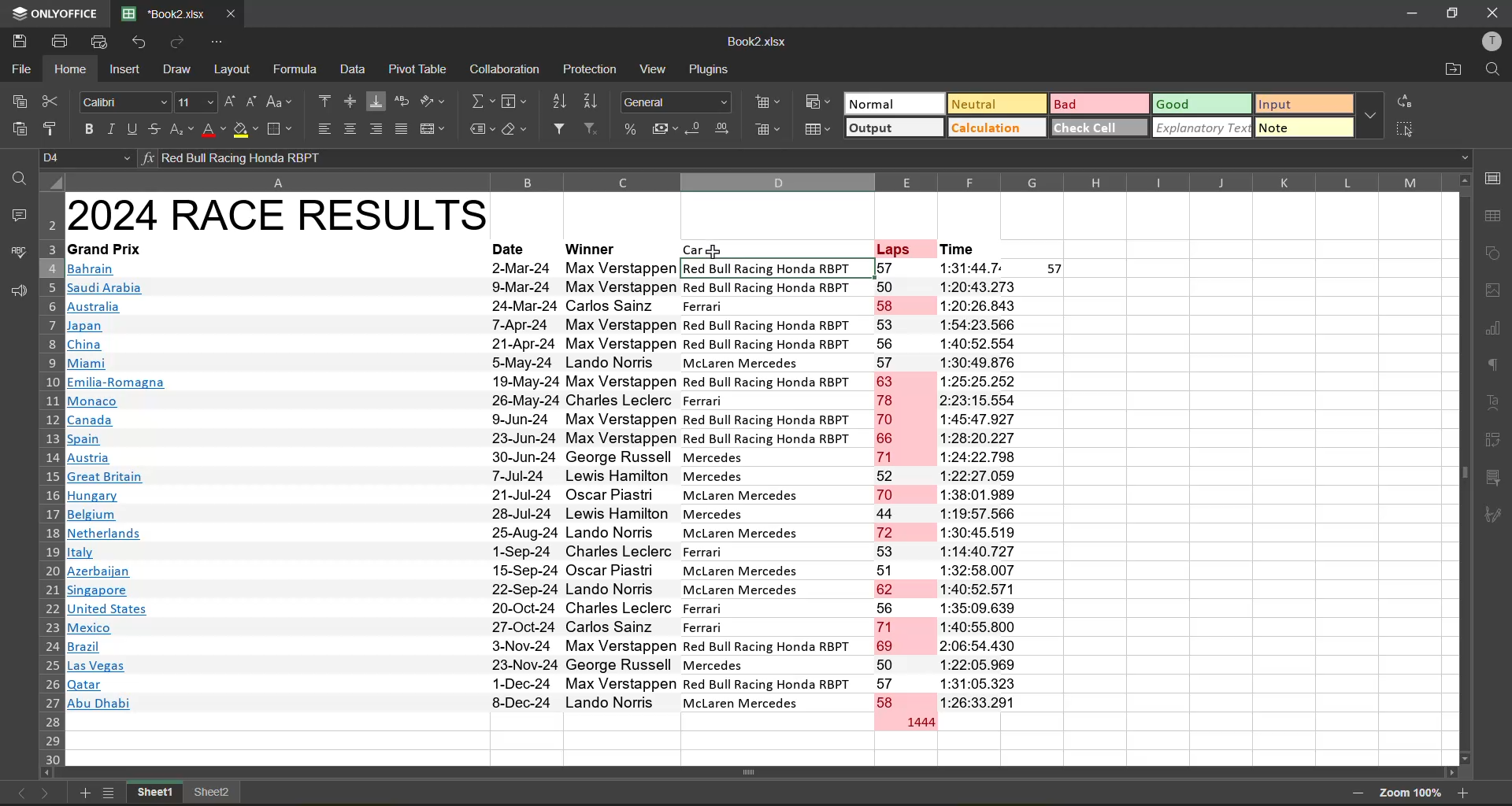 The width and height of the screenshot is (1512, 806). I want to click on neutral, so click(996, 103).